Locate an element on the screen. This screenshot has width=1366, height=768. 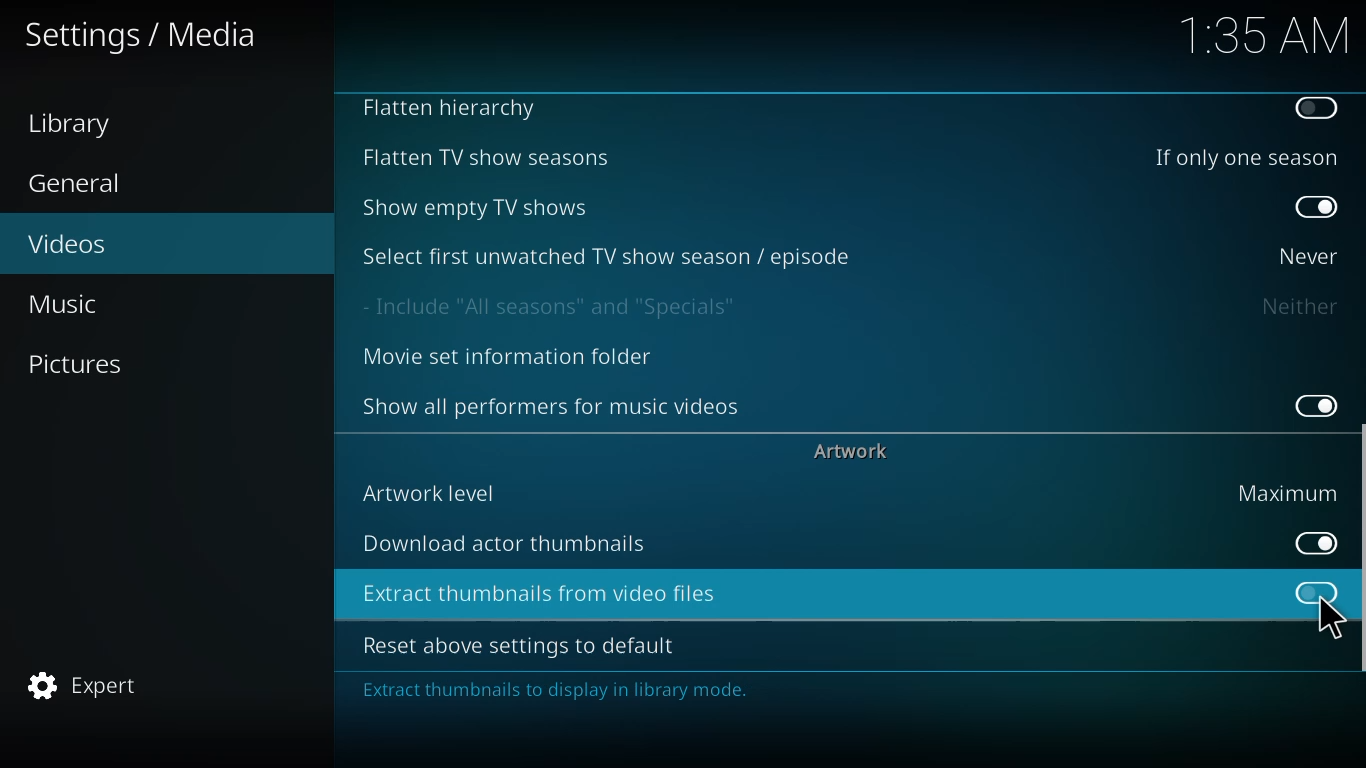
time is located at coordinates (1264, 33).